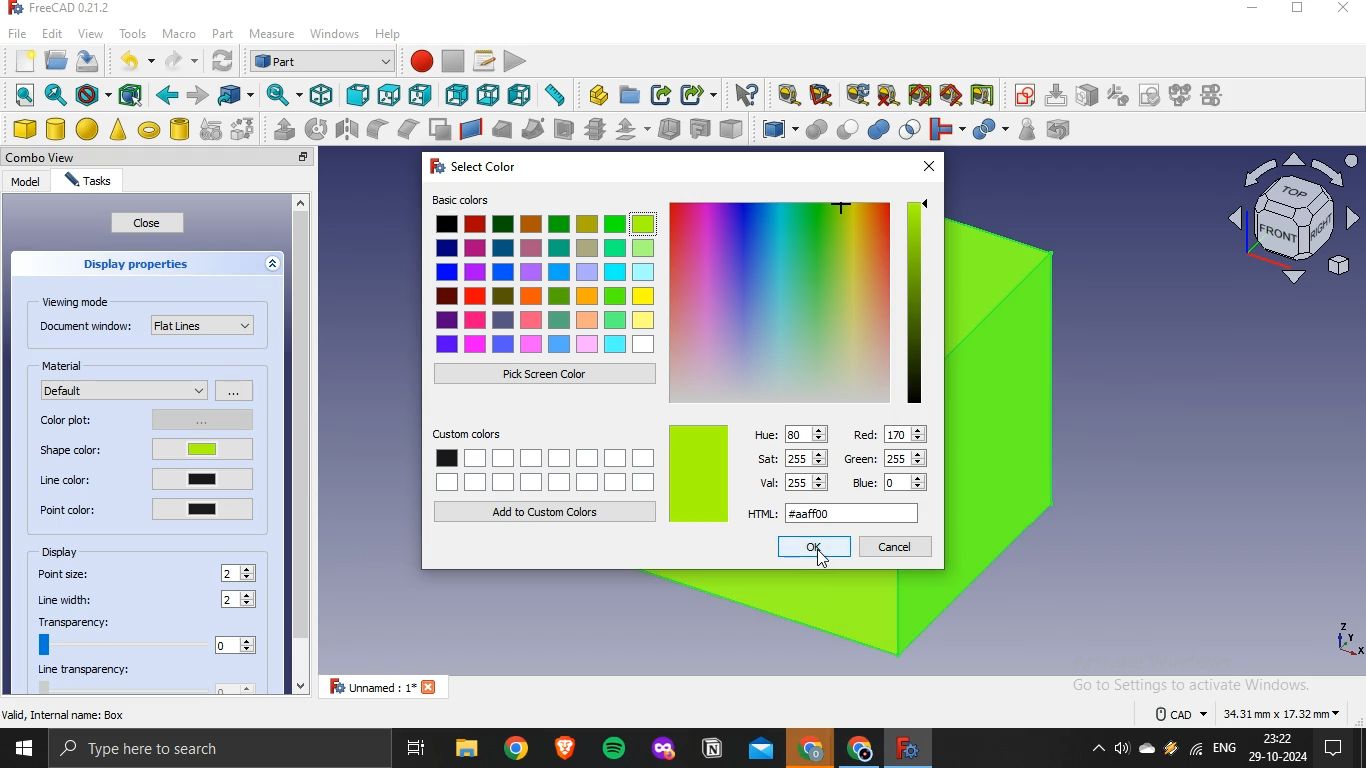 The image size is (1366, 768). What do you see at coordinates (55, 95) in the screenshot?
I see `fit selection` at bounding box center [55, 95].